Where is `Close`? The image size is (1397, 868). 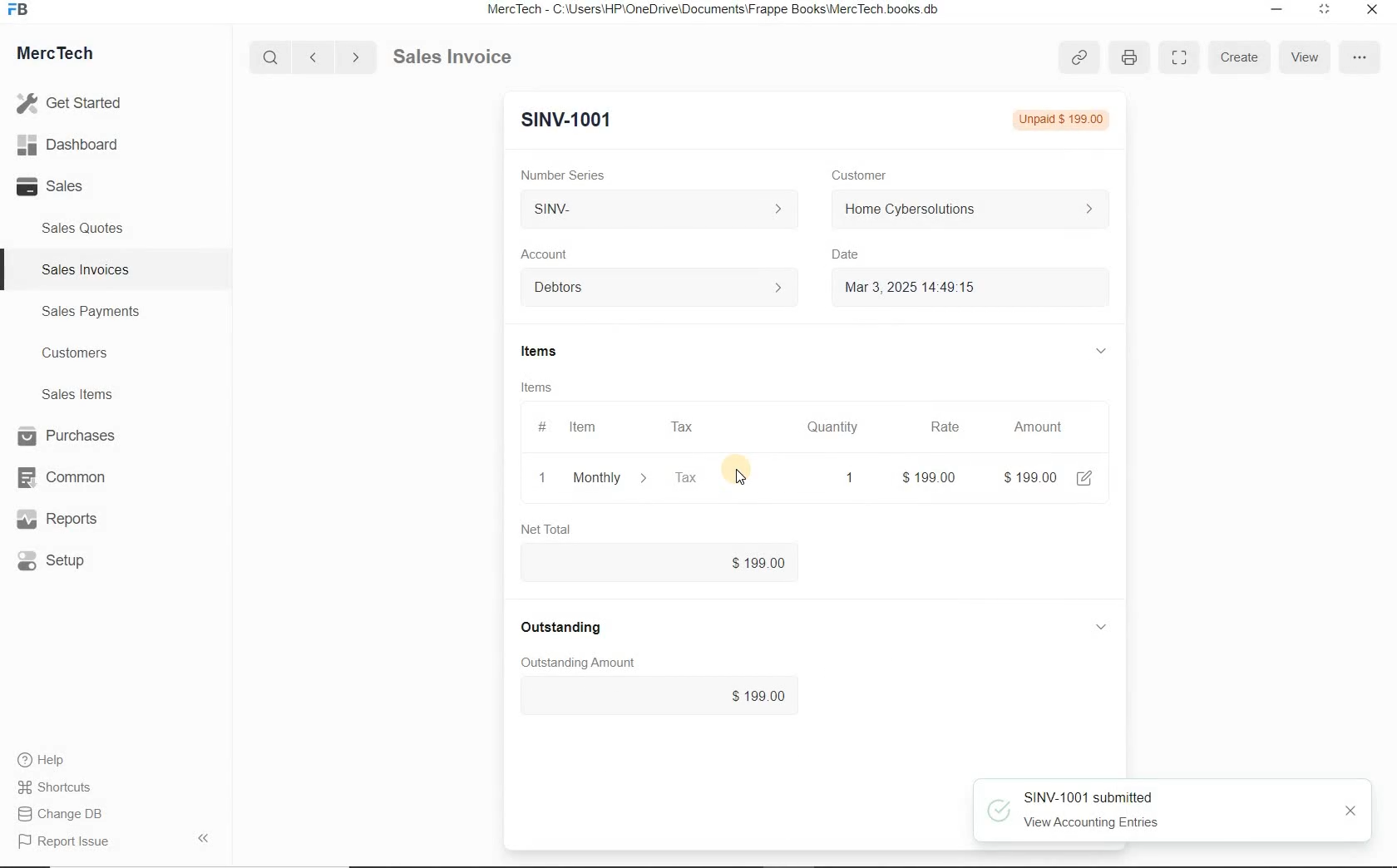
Close is located at coordinates (1370, 12).